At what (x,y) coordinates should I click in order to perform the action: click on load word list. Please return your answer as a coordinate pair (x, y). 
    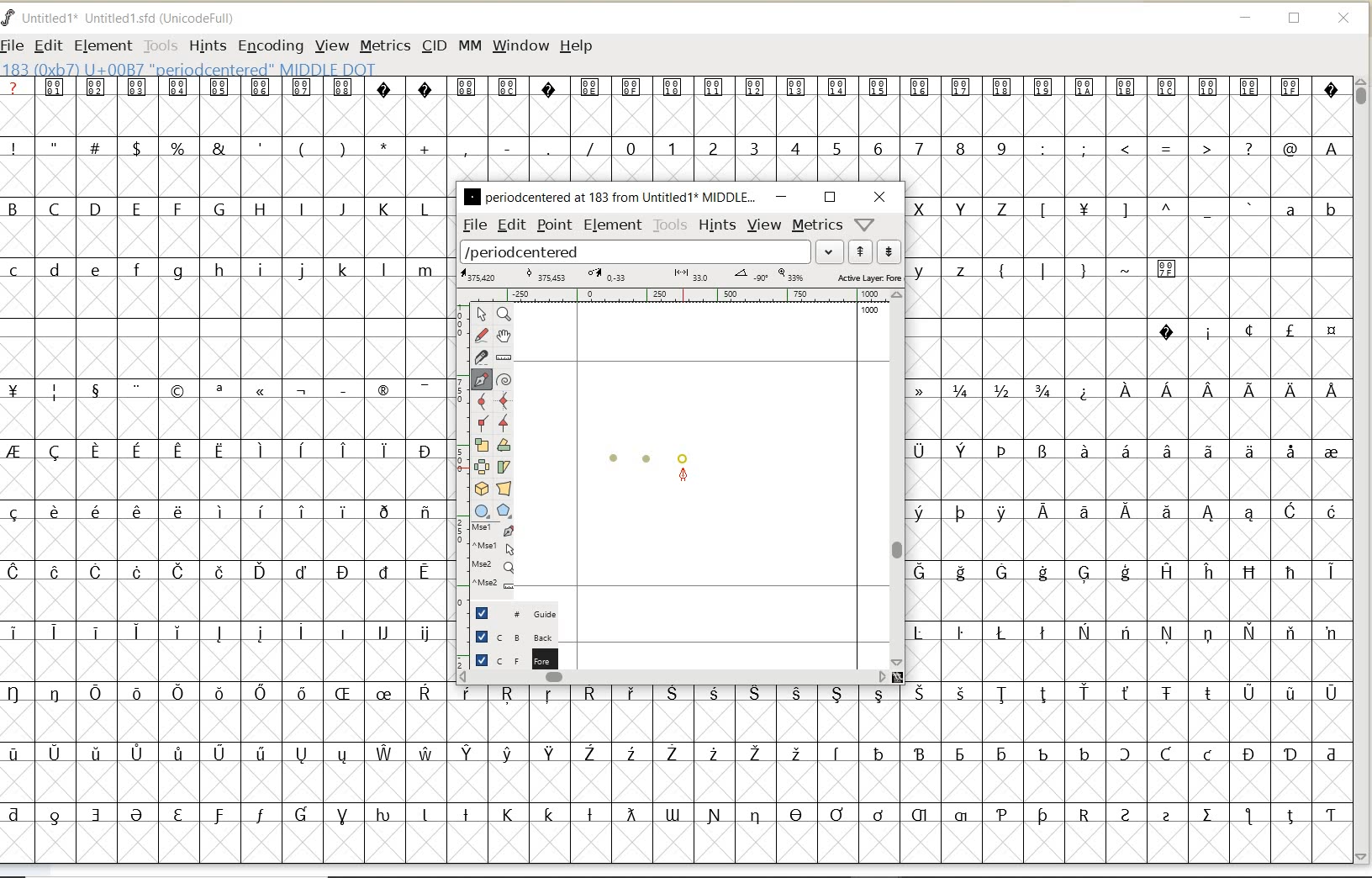
    Looking at the image, I should click on (636, 252).